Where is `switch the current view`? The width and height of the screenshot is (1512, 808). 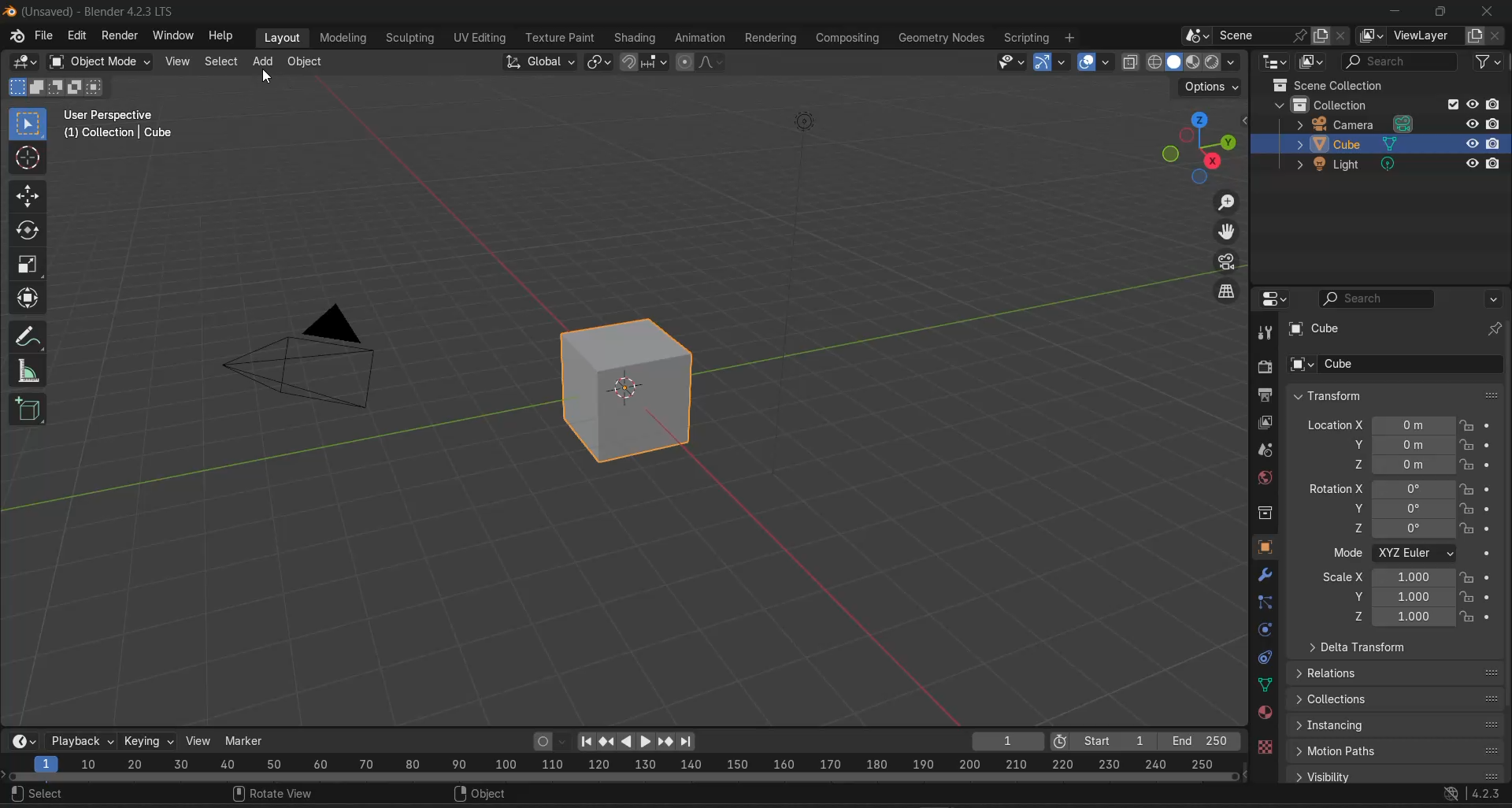
switch the current view is located at coordinates (1224, 291).